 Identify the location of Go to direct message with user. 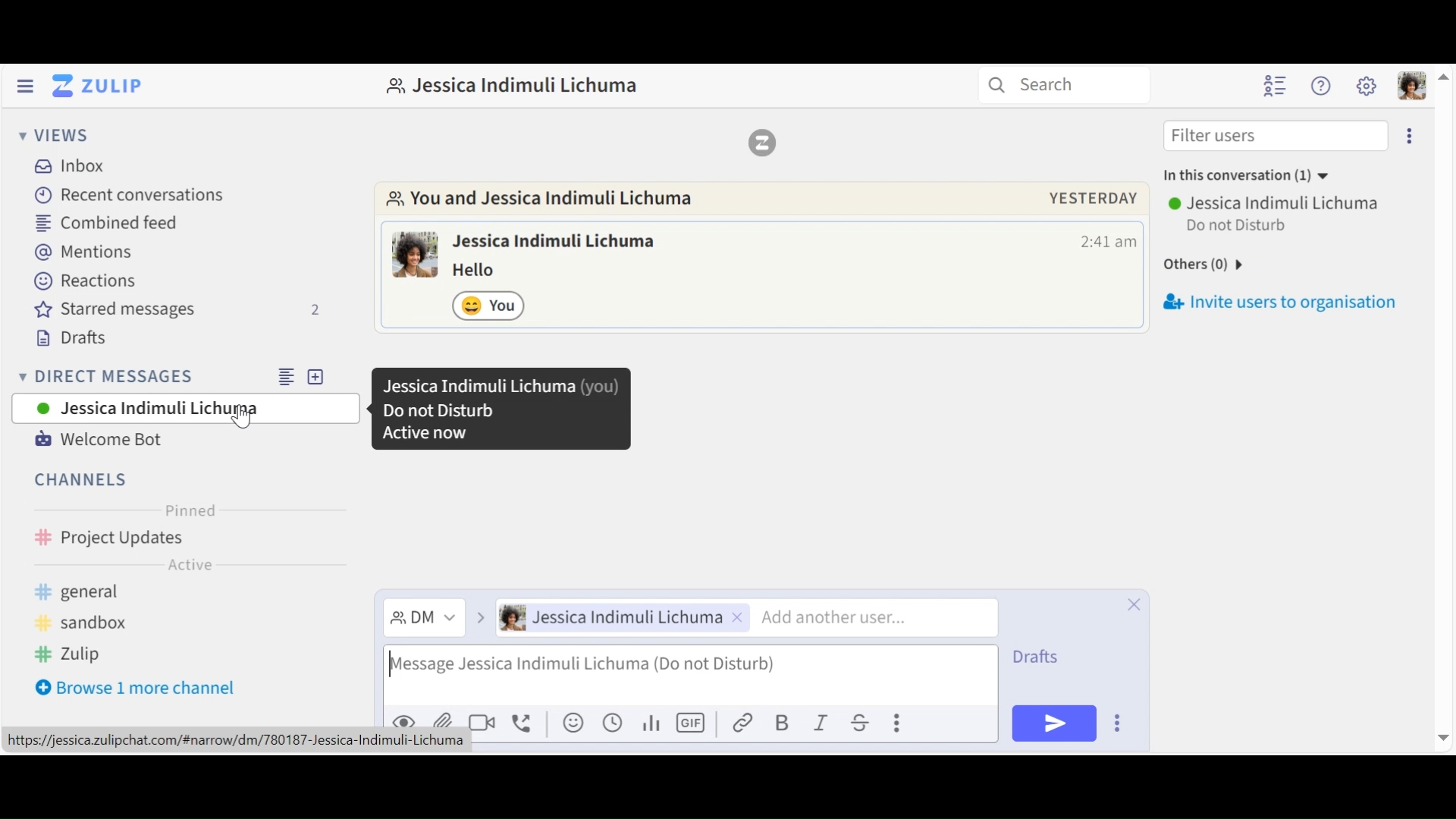
(541, 199).